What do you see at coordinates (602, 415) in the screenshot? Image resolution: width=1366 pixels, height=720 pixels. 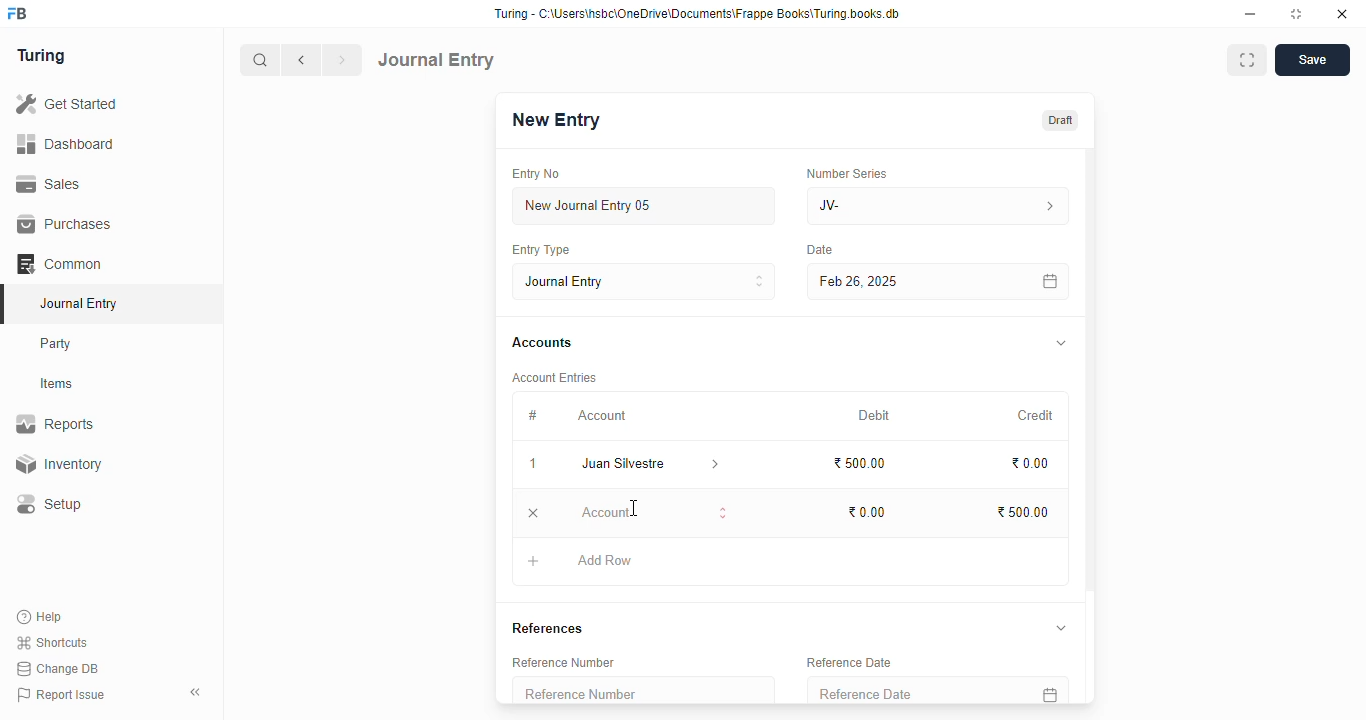 I see `account` at bounding box center [602, 415].